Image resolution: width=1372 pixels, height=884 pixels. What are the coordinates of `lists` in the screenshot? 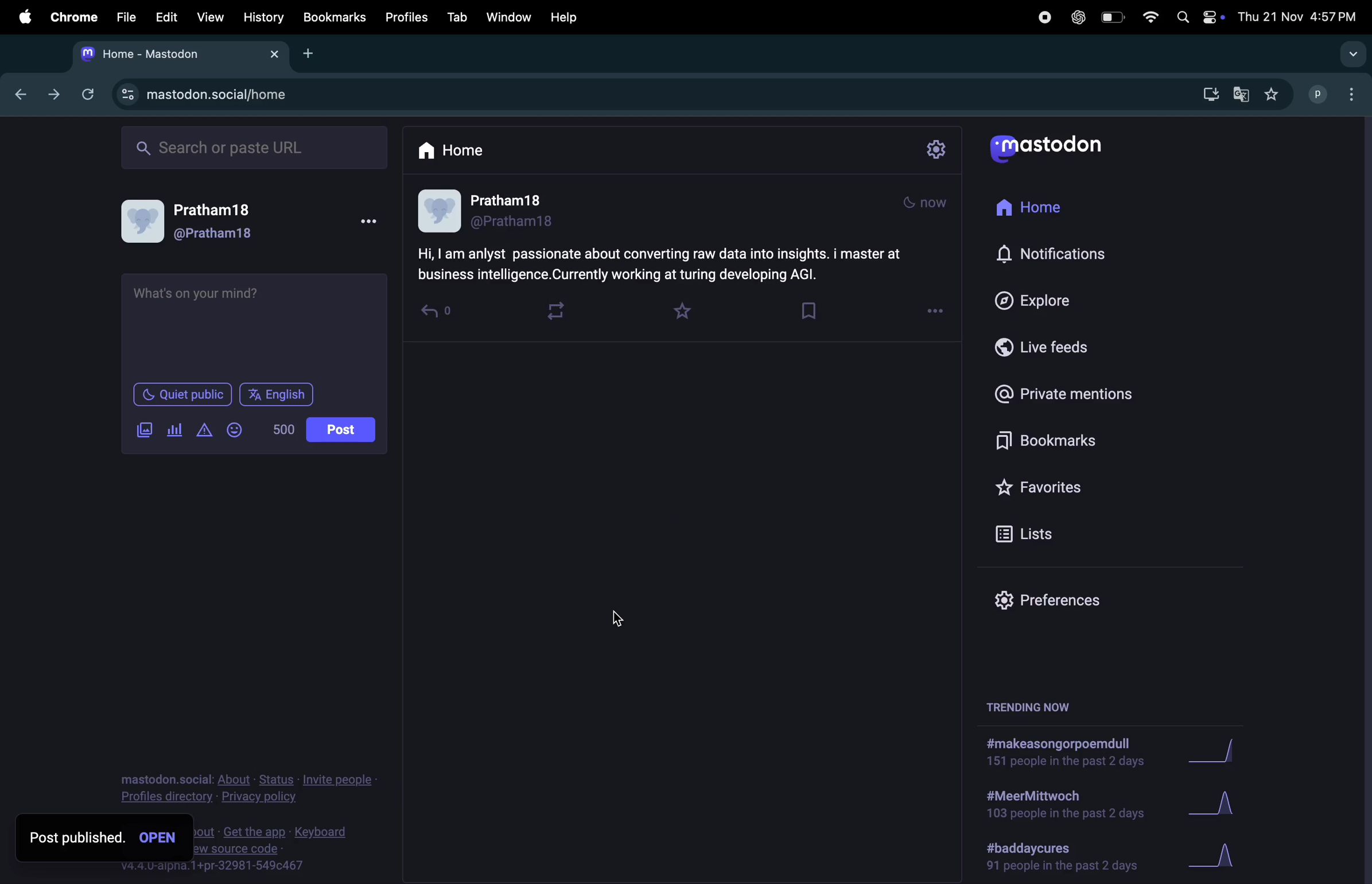 It's located at (1032, 533).